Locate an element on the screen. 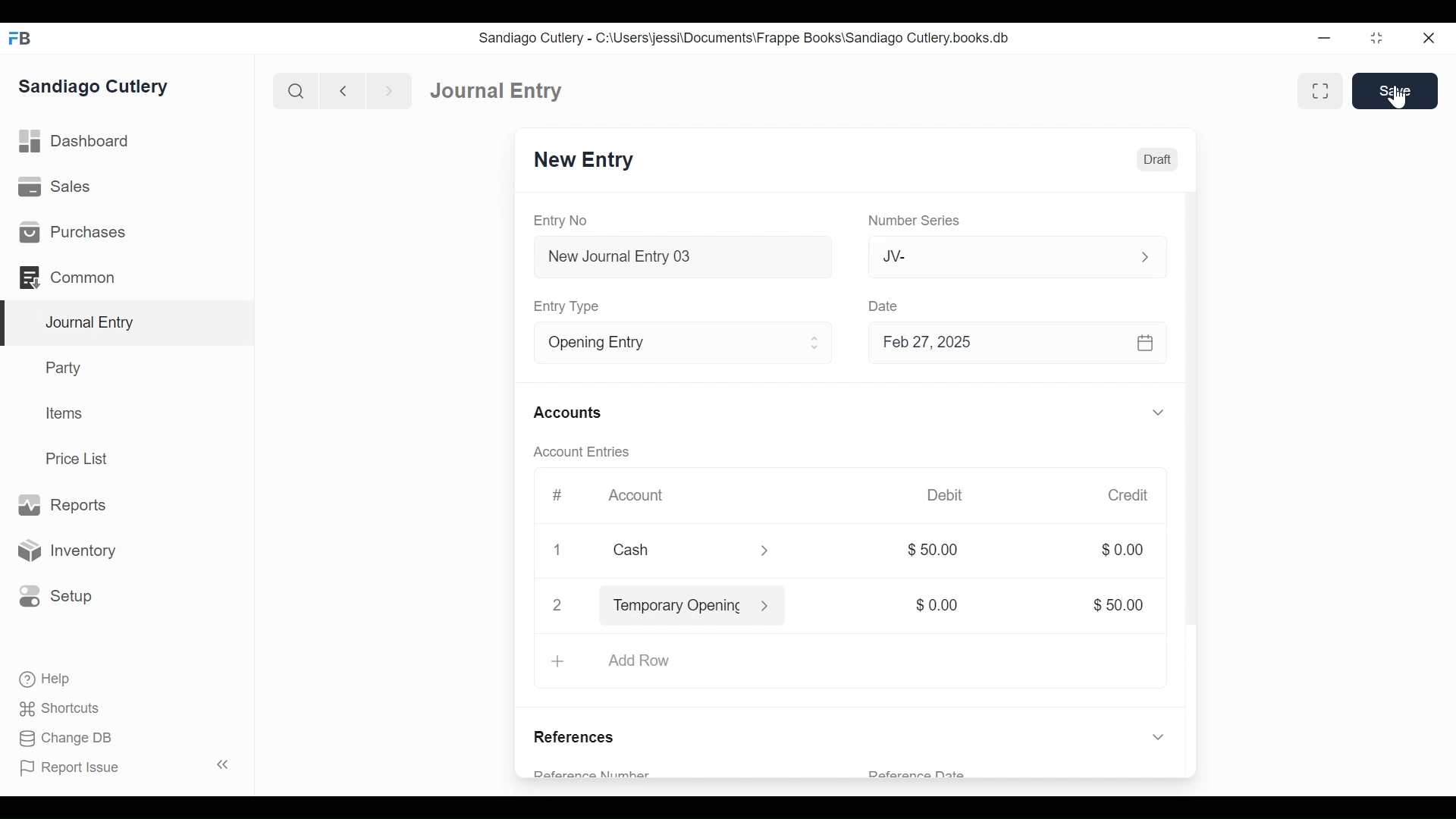  Credit is located at coordinates (1130, 495).